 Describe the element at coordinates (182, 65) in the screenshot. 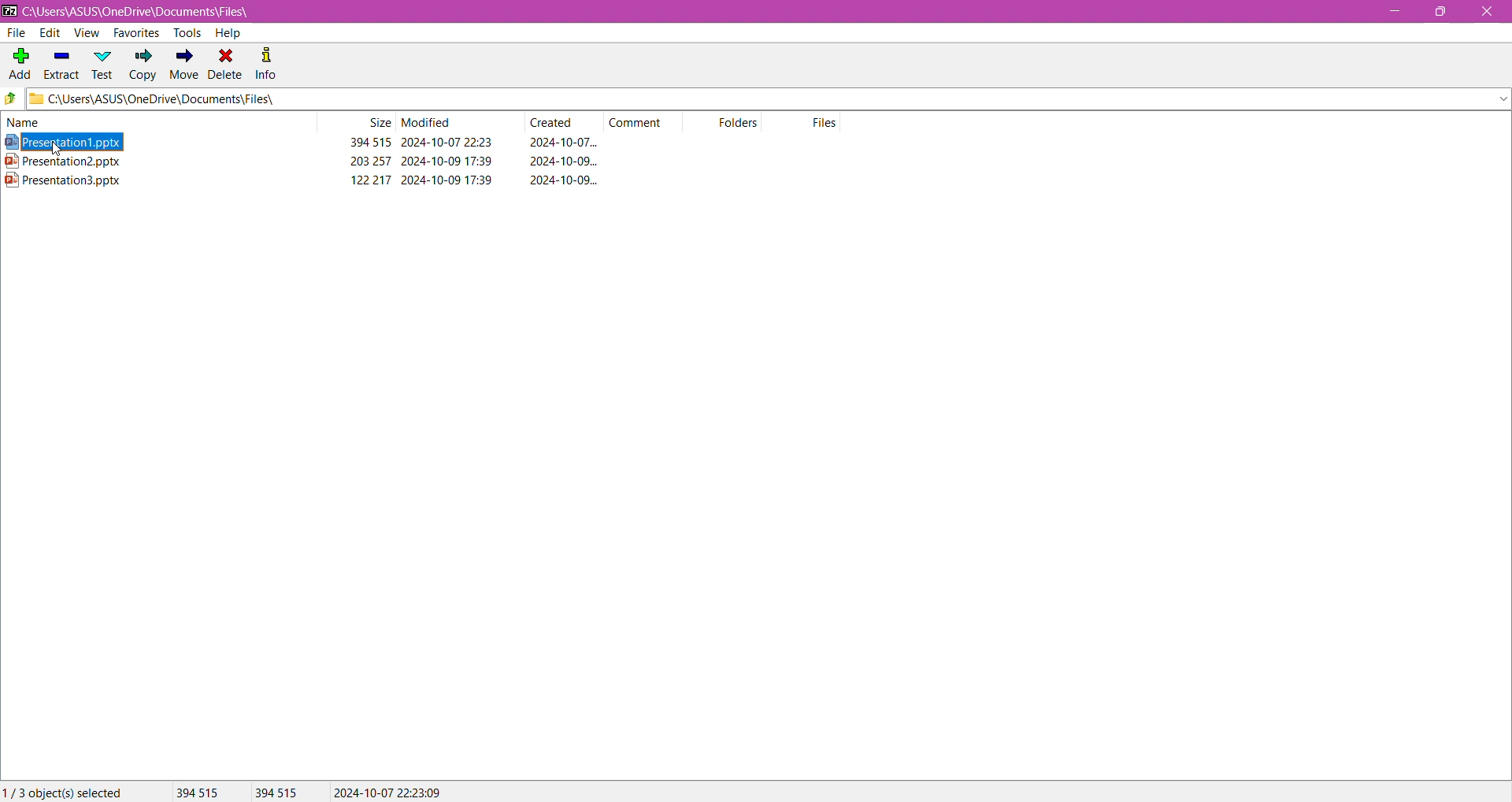

I see `Move` at that location.